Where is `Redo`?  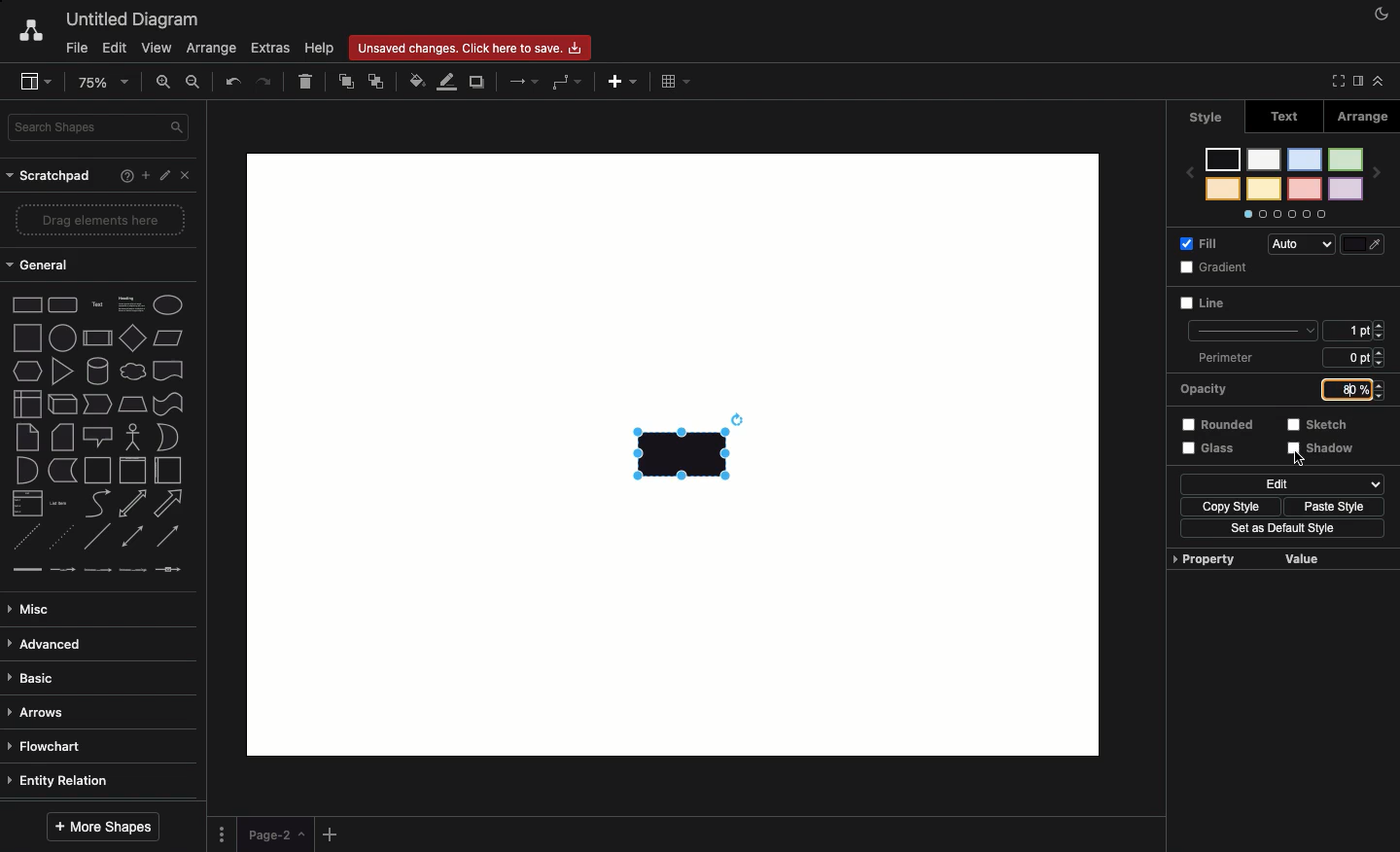
Redo is located at coordinates (266, 85).